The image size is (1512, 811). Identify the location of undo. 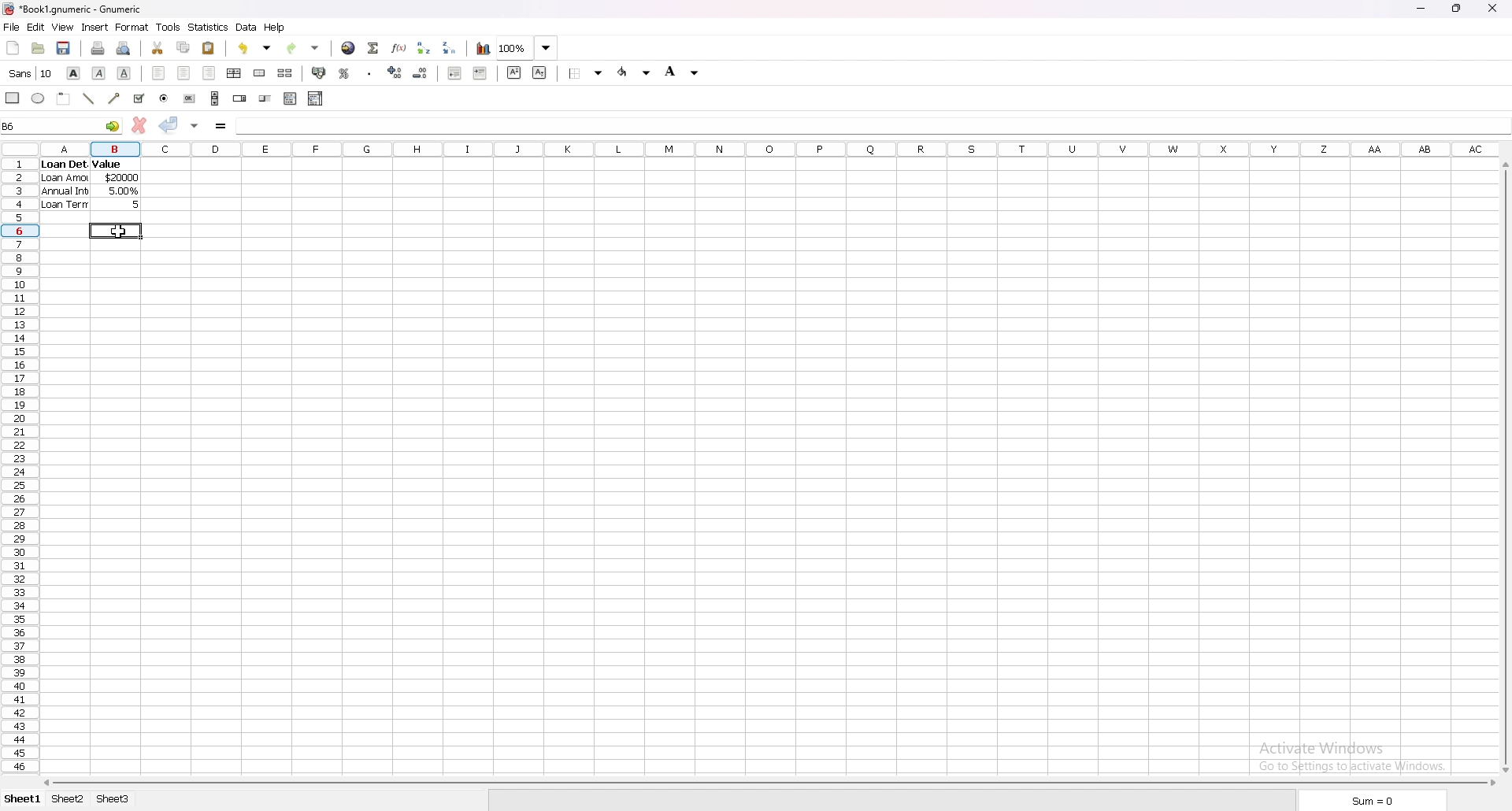
(255, 48).